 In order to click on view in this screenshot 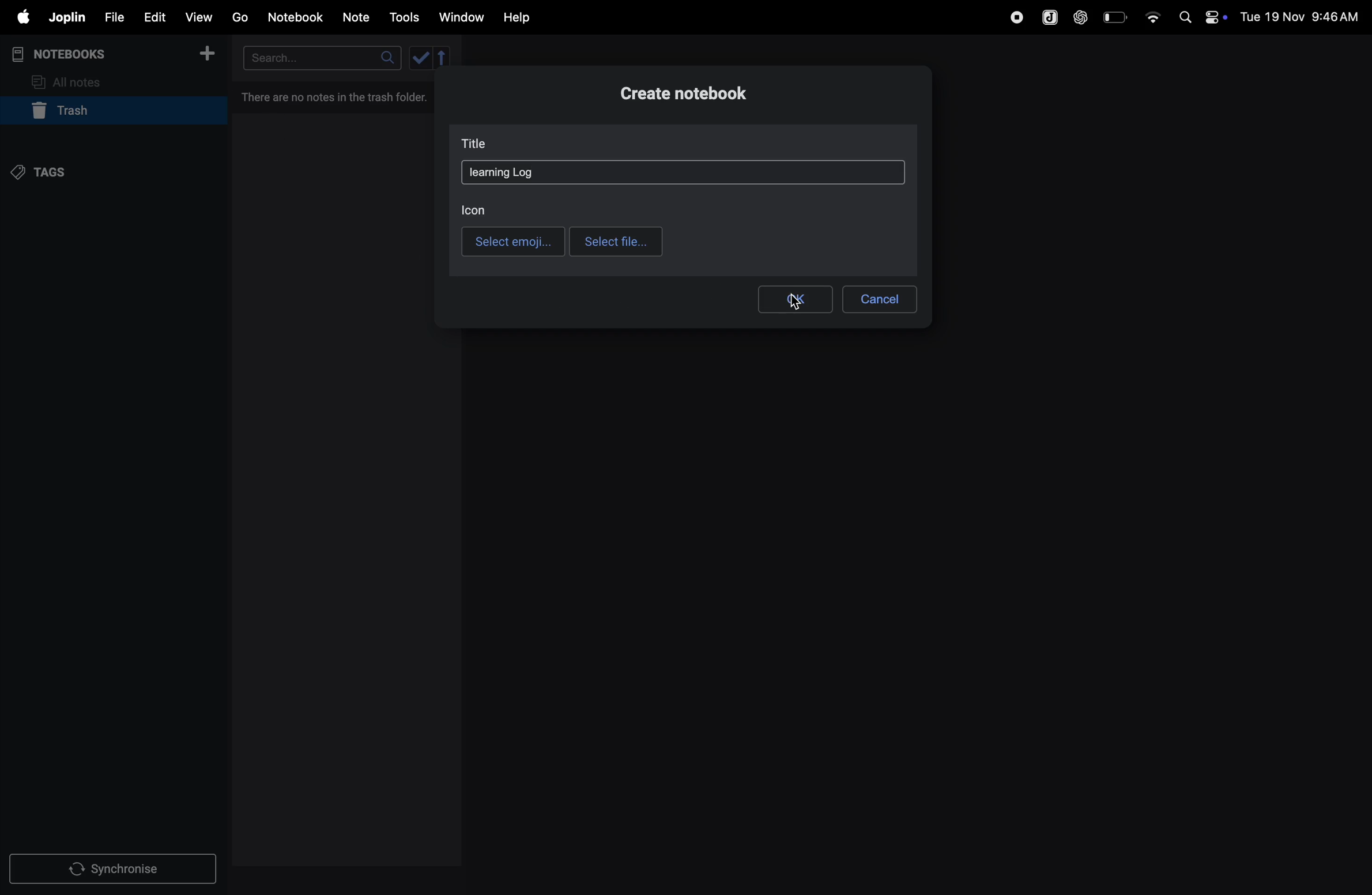, I will do `click(199, 17)`.